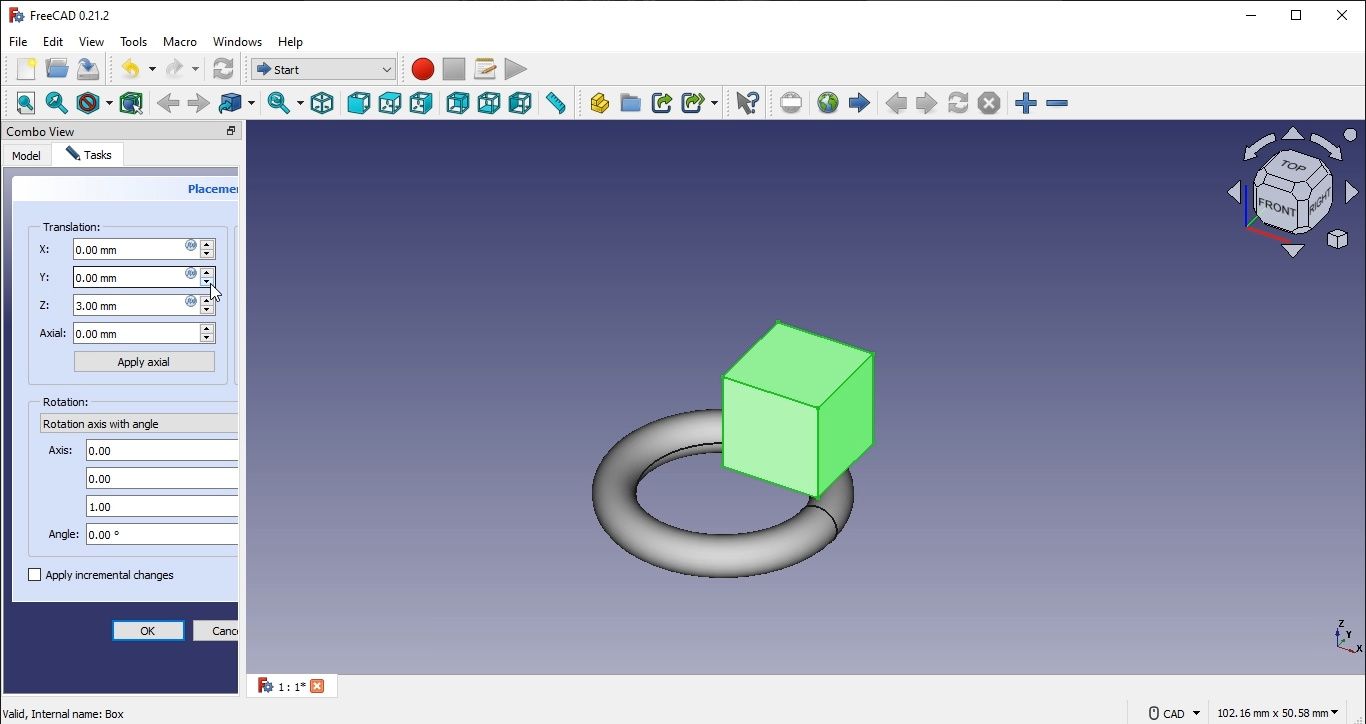  Describe the element at coordinates (97, 103) in the screenshot. I see `draw style` at that location.